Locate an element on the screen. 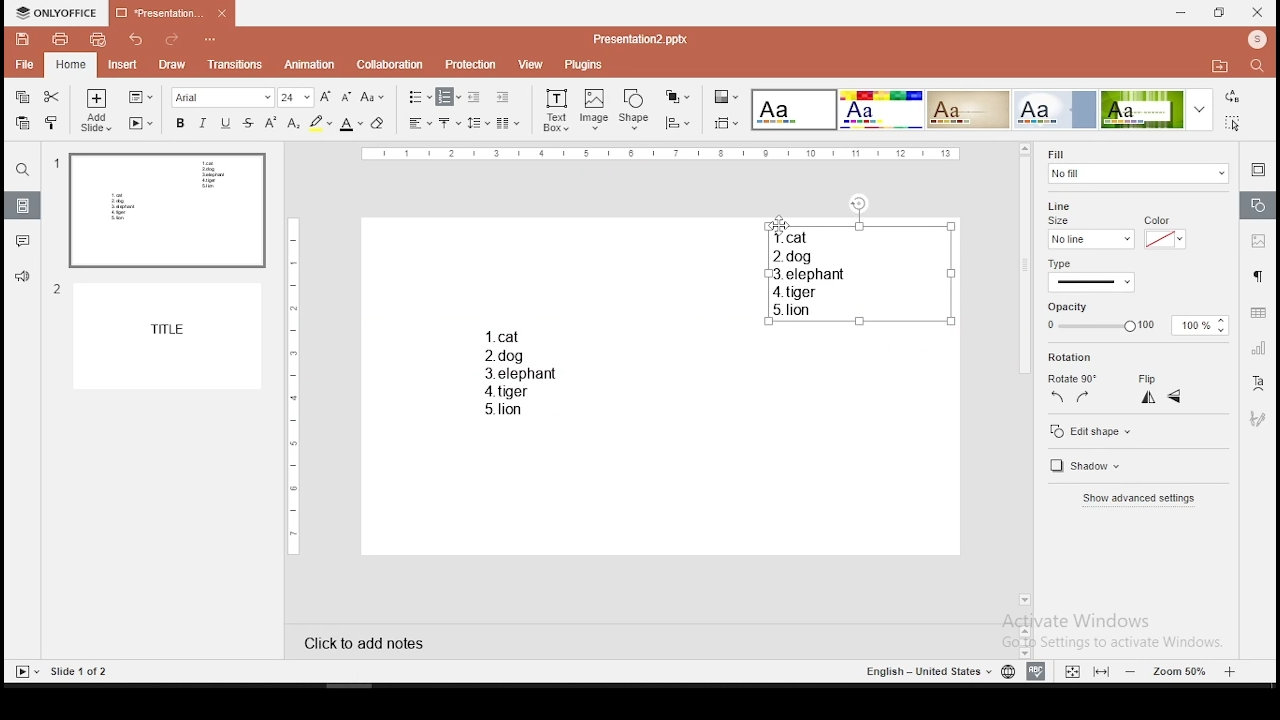 The image size is (1280, 720). columns is located at coordinates (508, 122).